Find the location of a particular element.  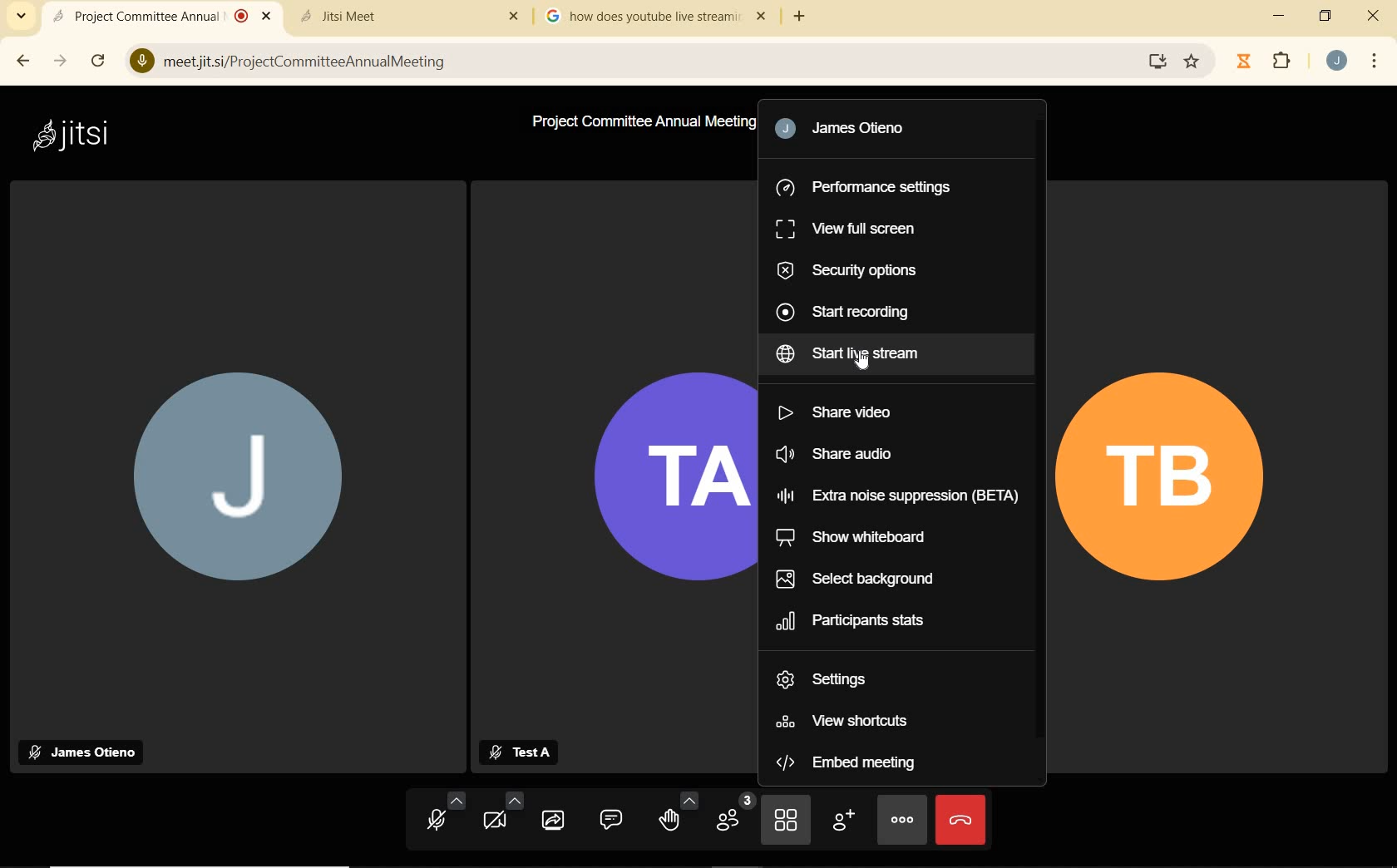

reload is located at coordinates (103, 63).